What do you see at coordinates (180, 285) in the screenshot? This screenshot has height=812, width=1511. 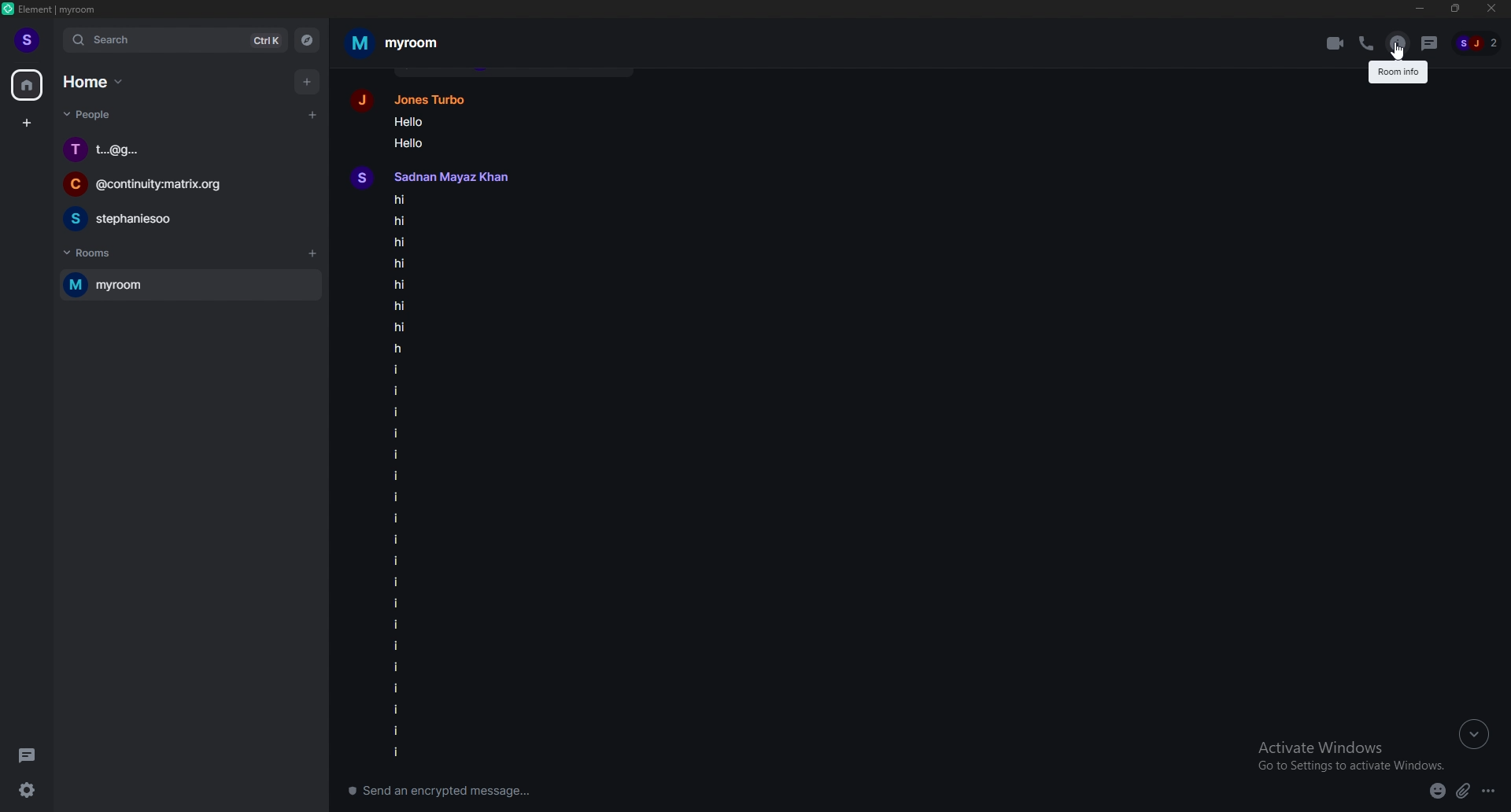 I see `room` at bounding box center [180, 285].